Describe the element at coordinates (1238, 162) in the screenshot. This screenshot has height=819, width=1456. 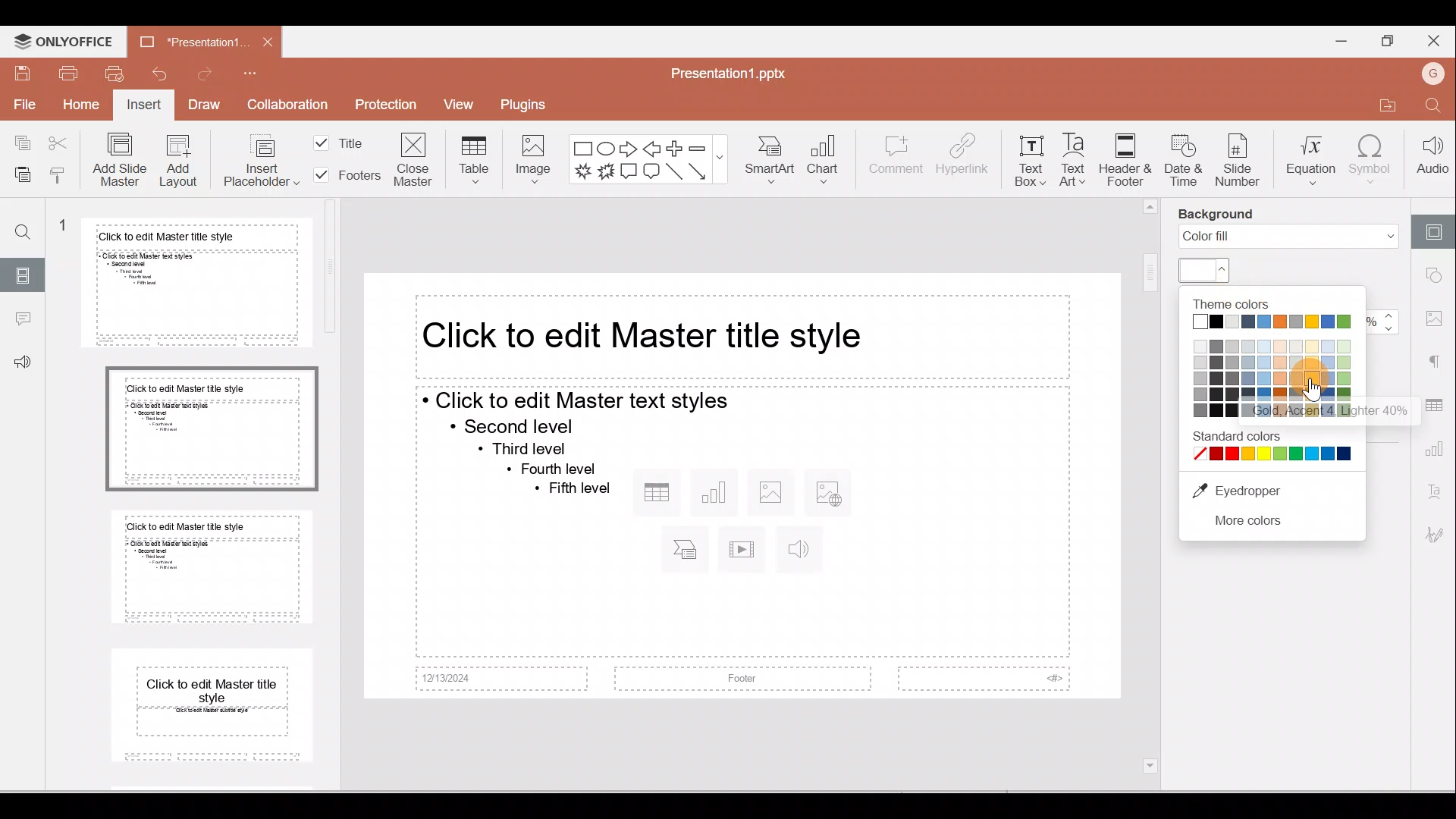
I see `Slide number` at that location.